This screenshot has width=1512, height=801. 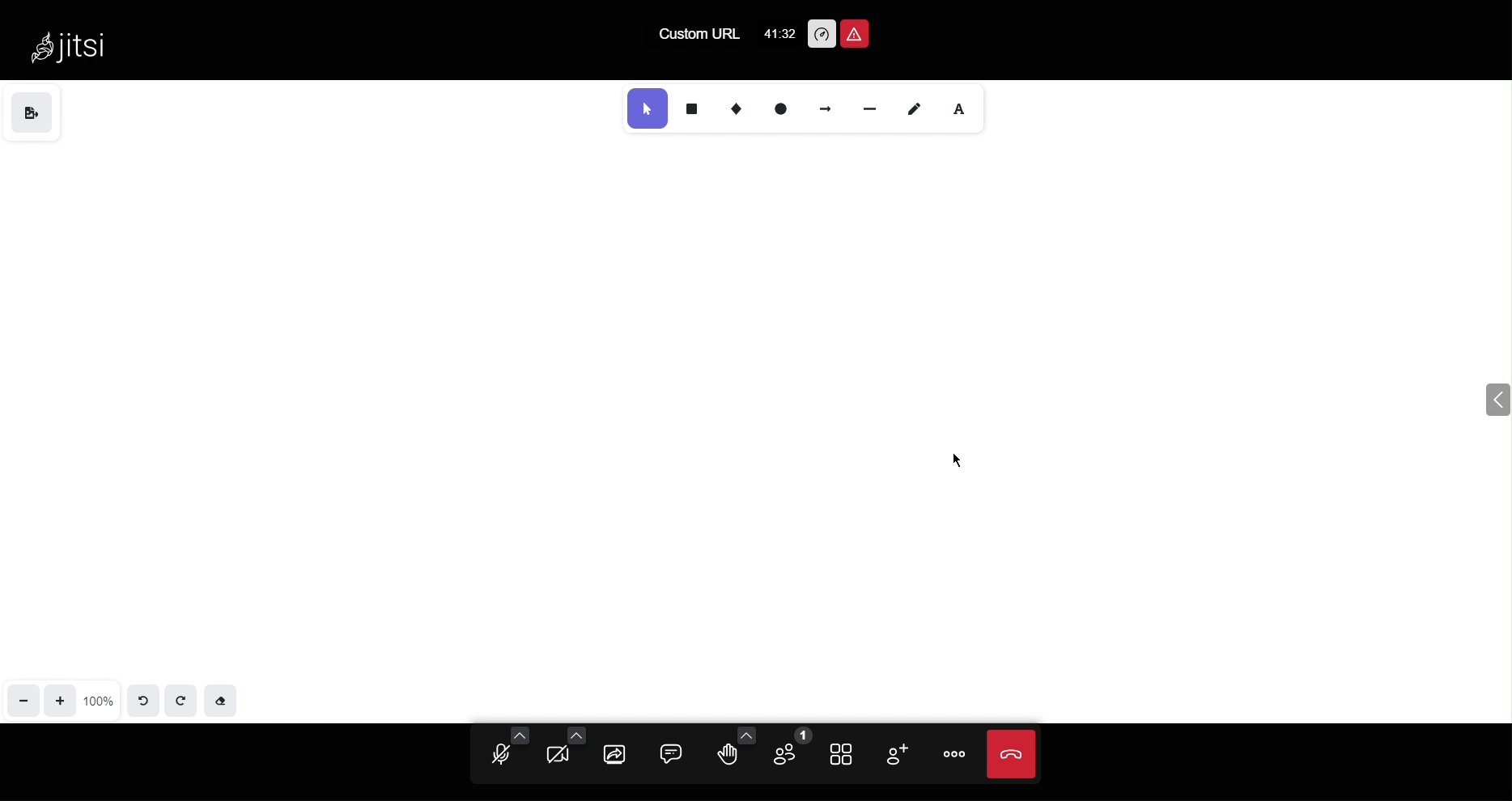 I want to click on Jitsi, so click(x=79, y=53).